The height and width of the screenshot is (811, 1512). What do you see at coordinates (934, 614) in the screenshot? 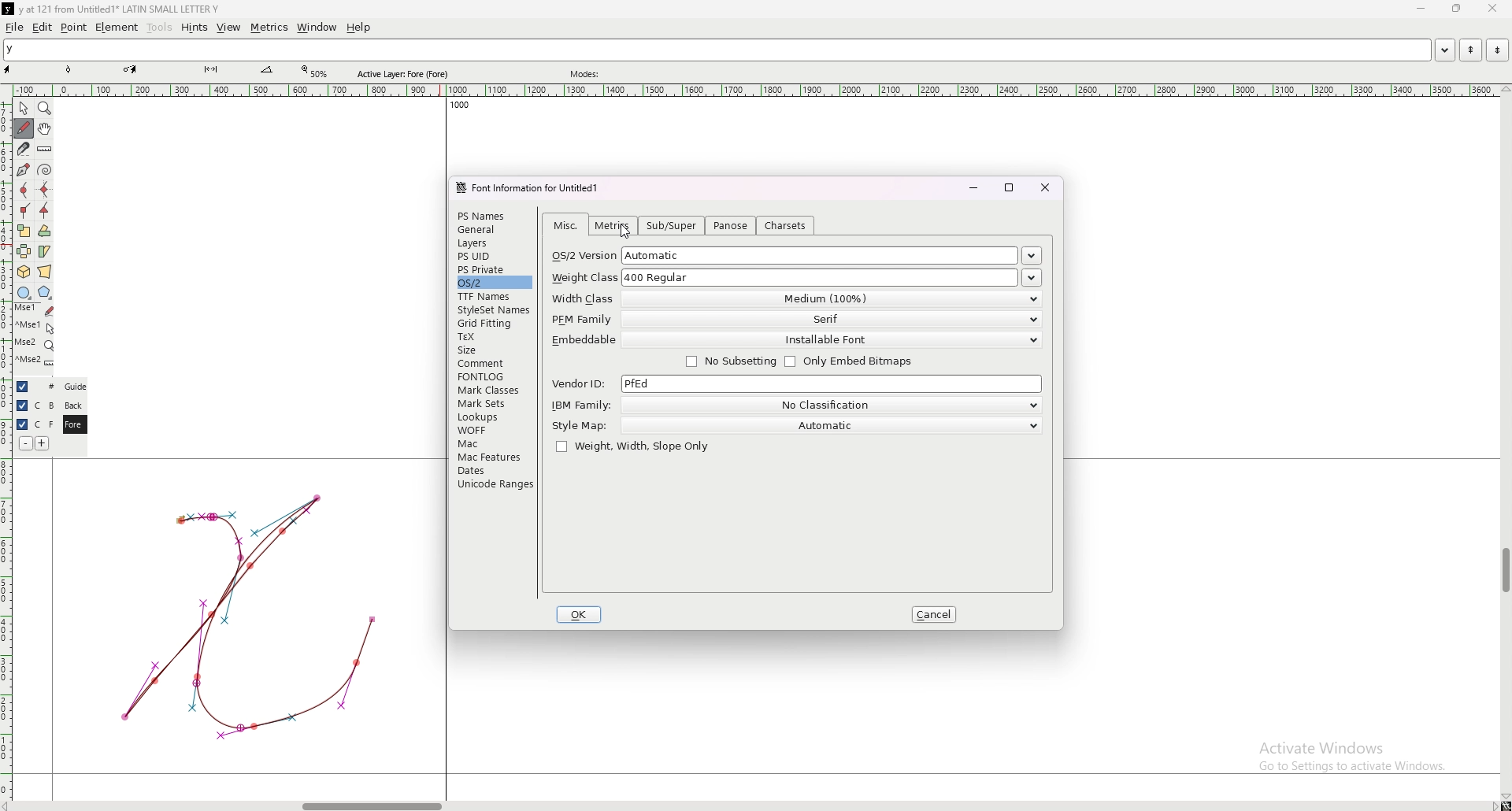
I see `cancel` at bounding box center [934, 614].